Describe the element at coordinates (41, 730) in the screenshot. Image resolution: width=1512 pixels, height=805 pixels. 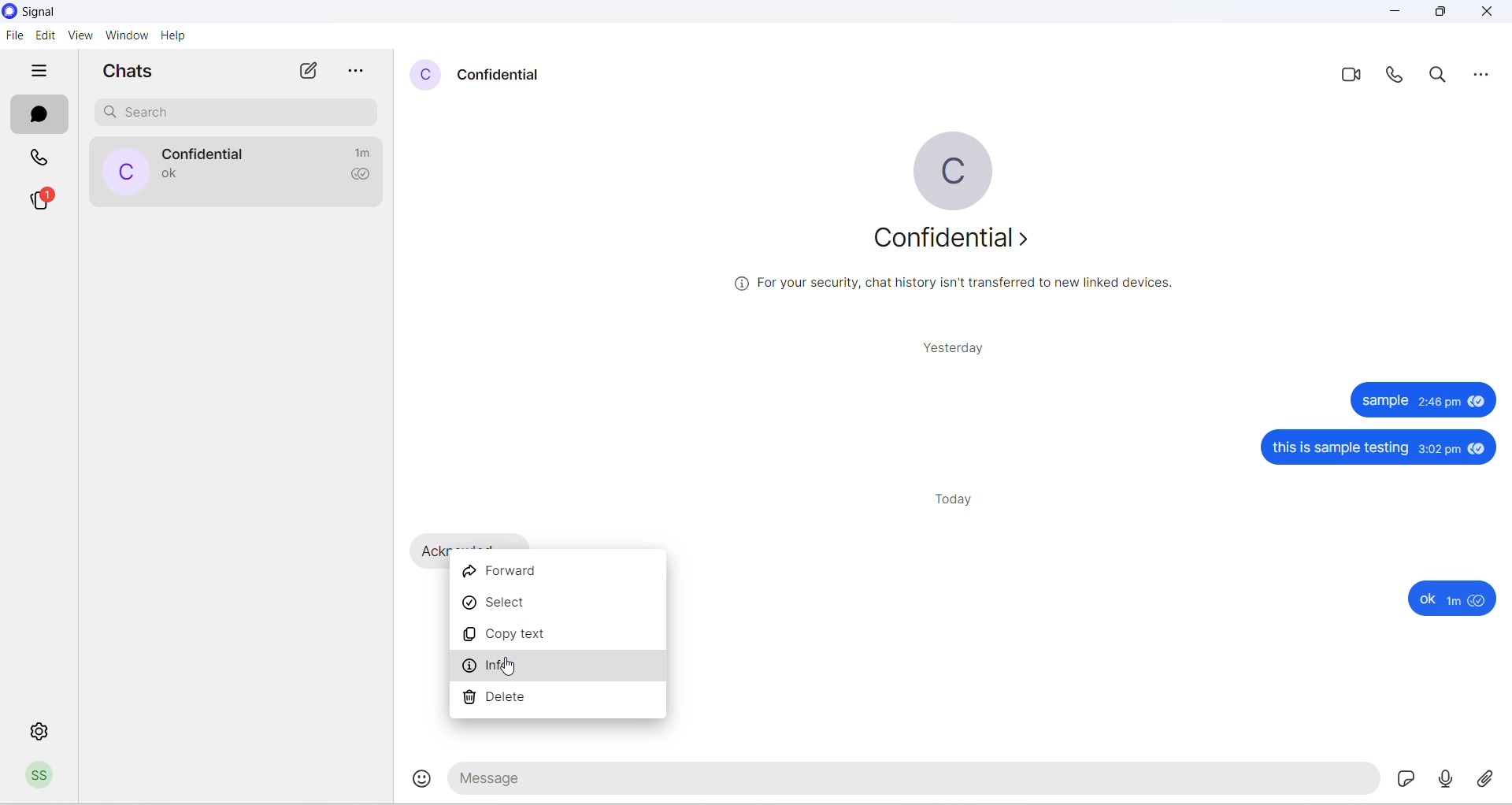
I see `settings` at that location.